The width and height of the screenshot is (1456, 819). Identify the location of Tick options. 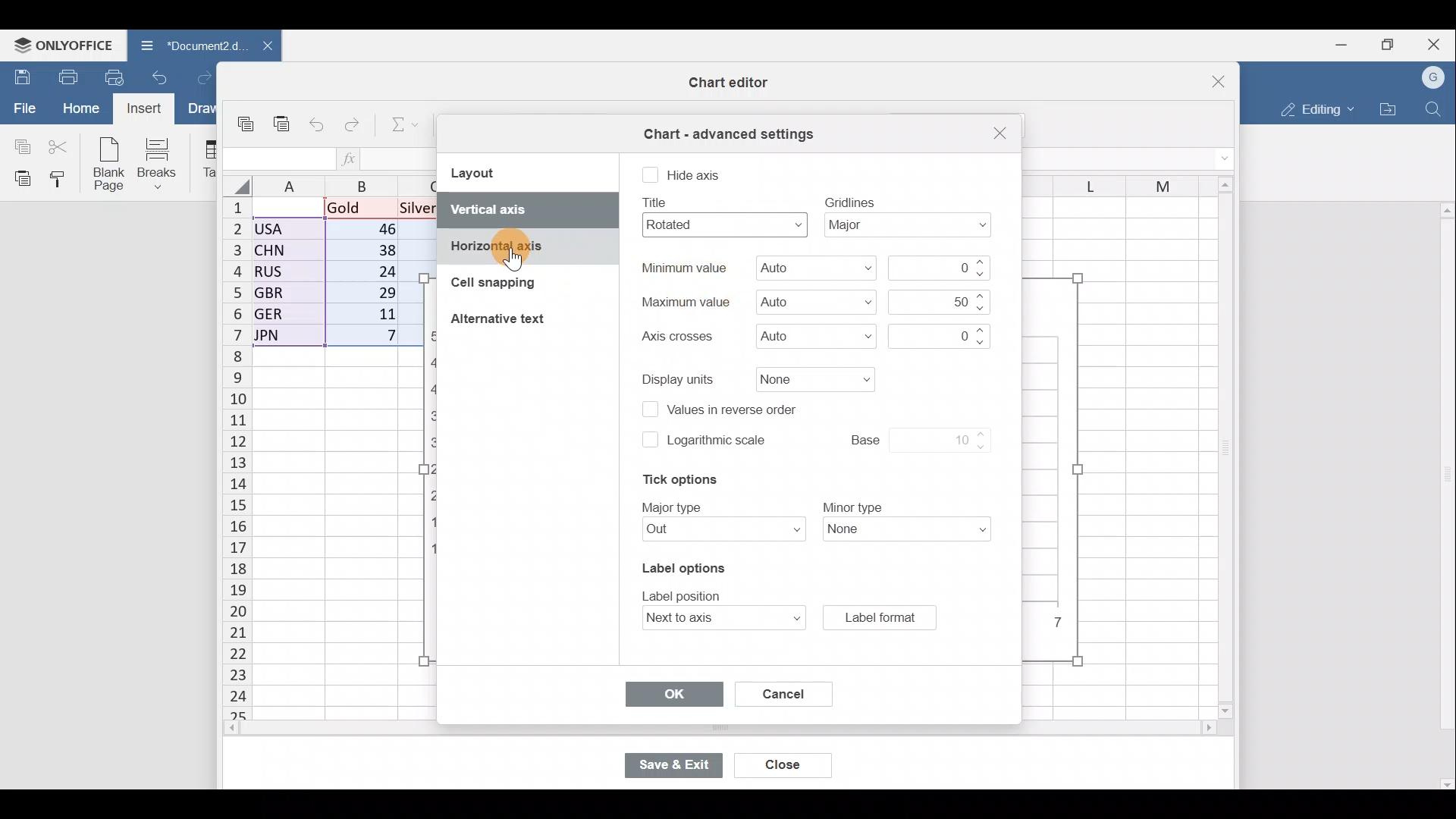
(673, 480).